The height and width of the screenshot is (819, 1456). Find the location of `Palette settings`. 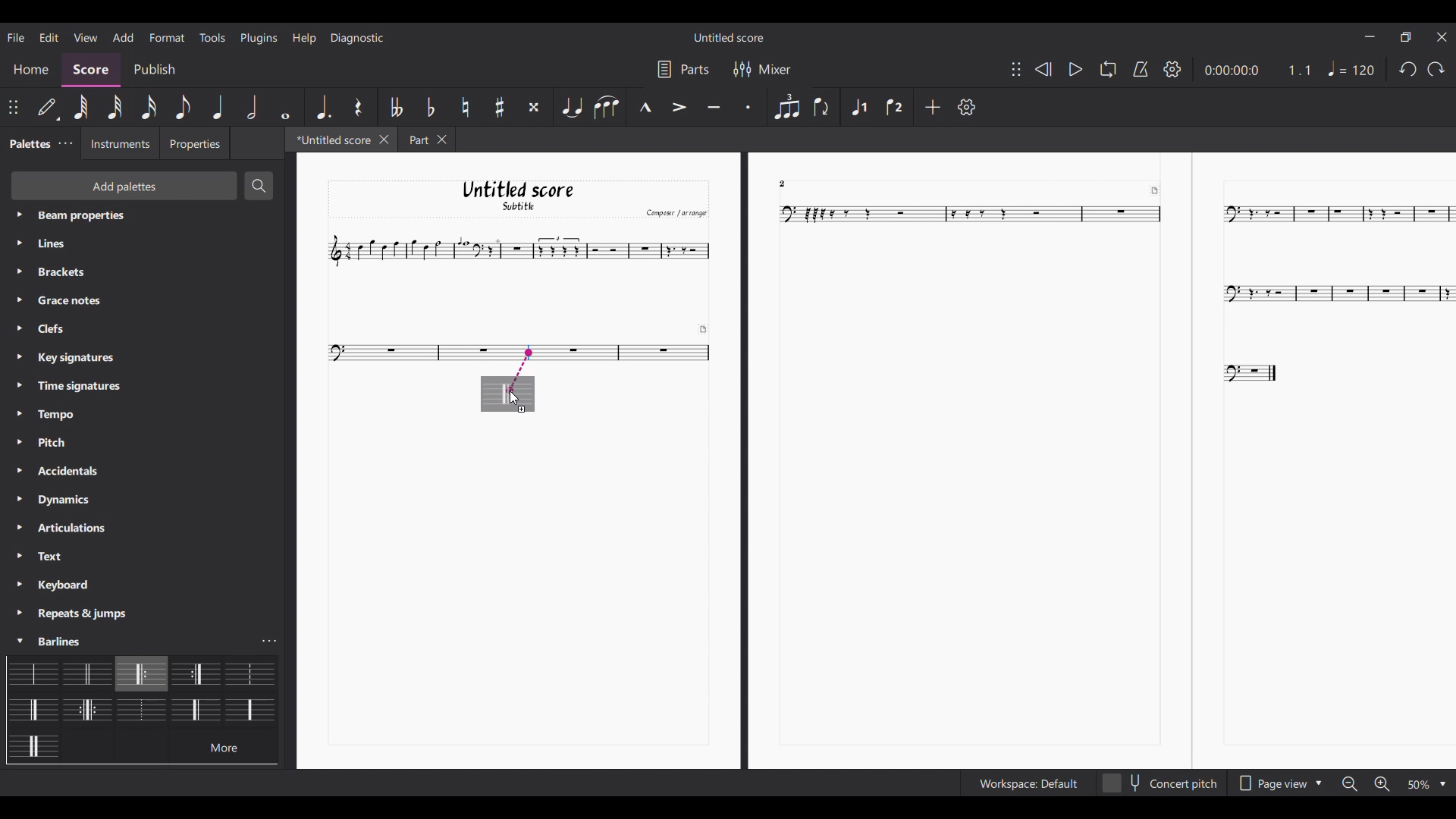

Palette settings is located at coordinates (65, 388).